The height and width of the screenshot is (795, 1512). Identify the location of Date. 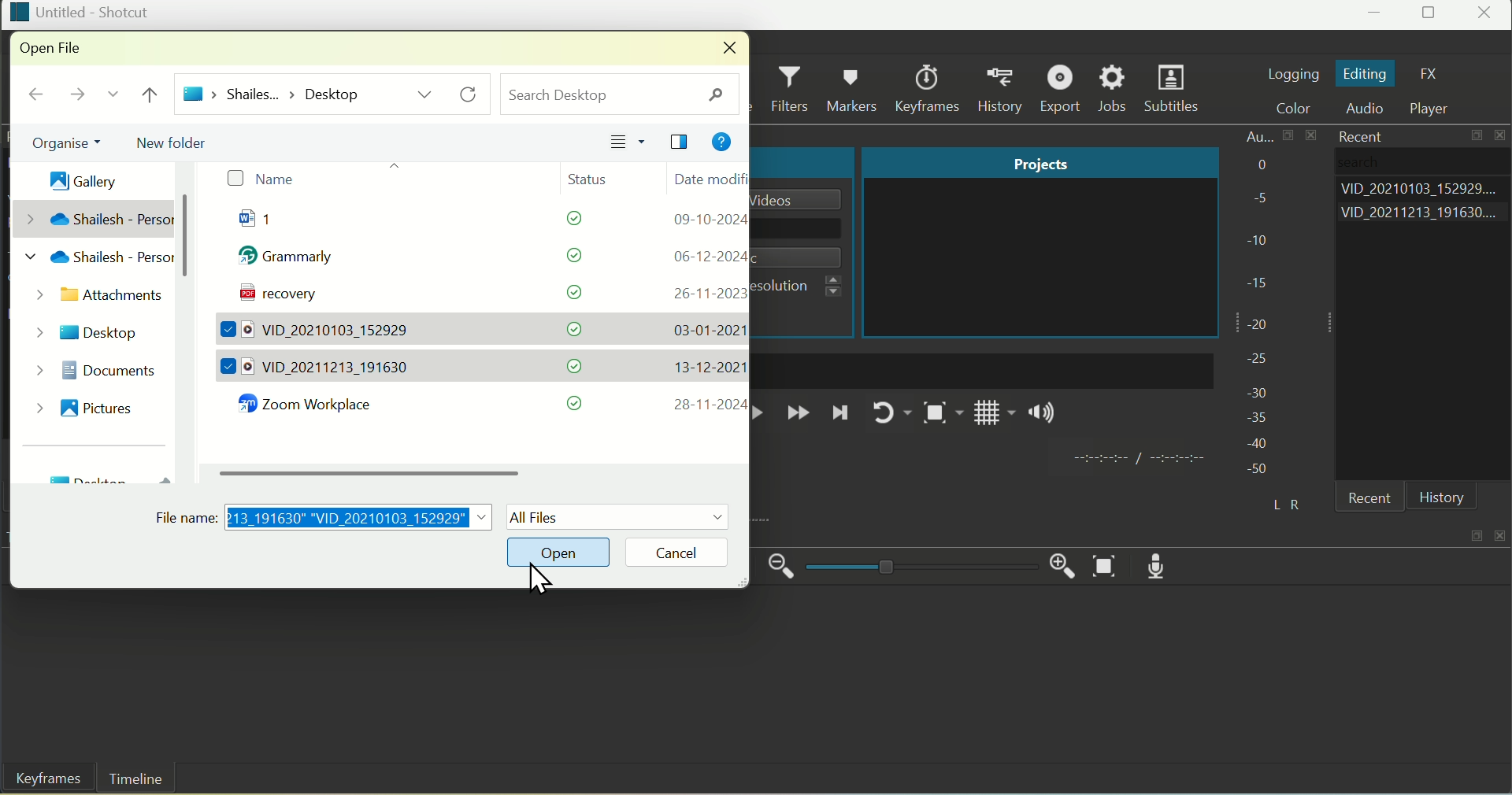
(708, 179).